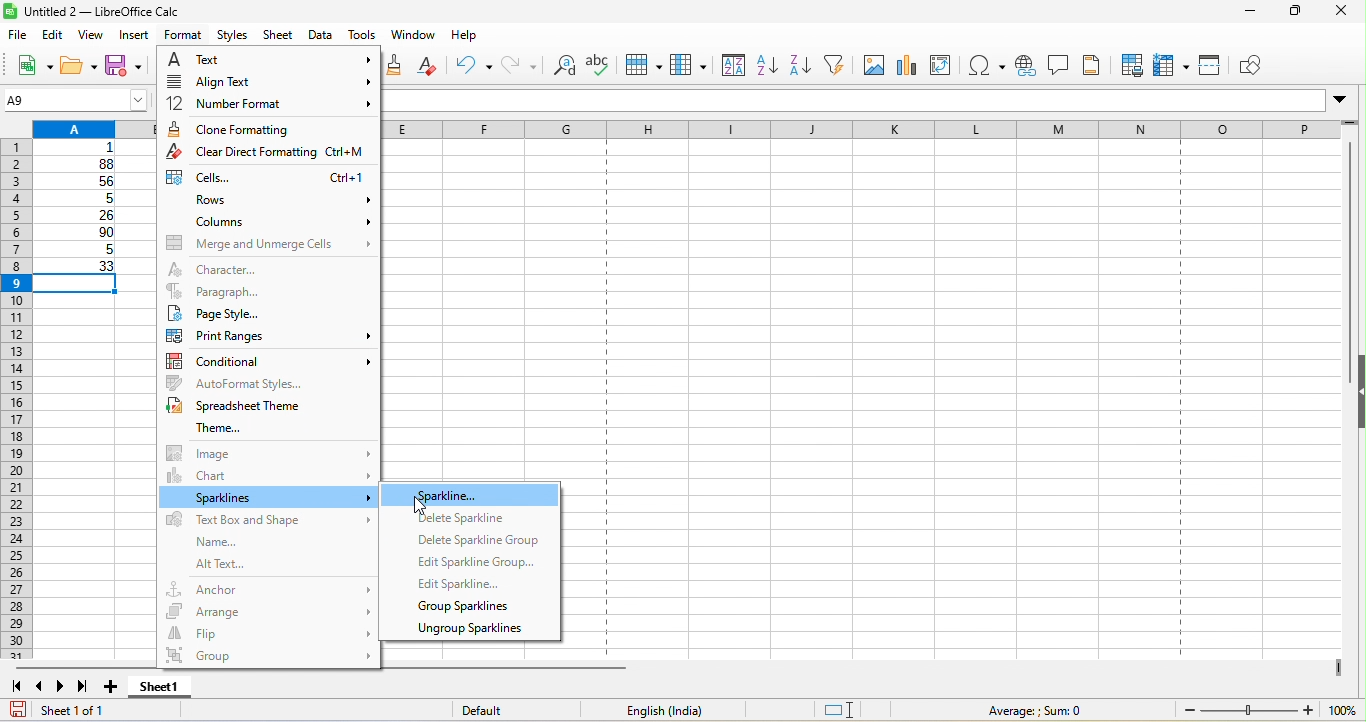 This screenshot has height=722, width=1366. I want to click on average ; sum 0, so click(1025, 710).